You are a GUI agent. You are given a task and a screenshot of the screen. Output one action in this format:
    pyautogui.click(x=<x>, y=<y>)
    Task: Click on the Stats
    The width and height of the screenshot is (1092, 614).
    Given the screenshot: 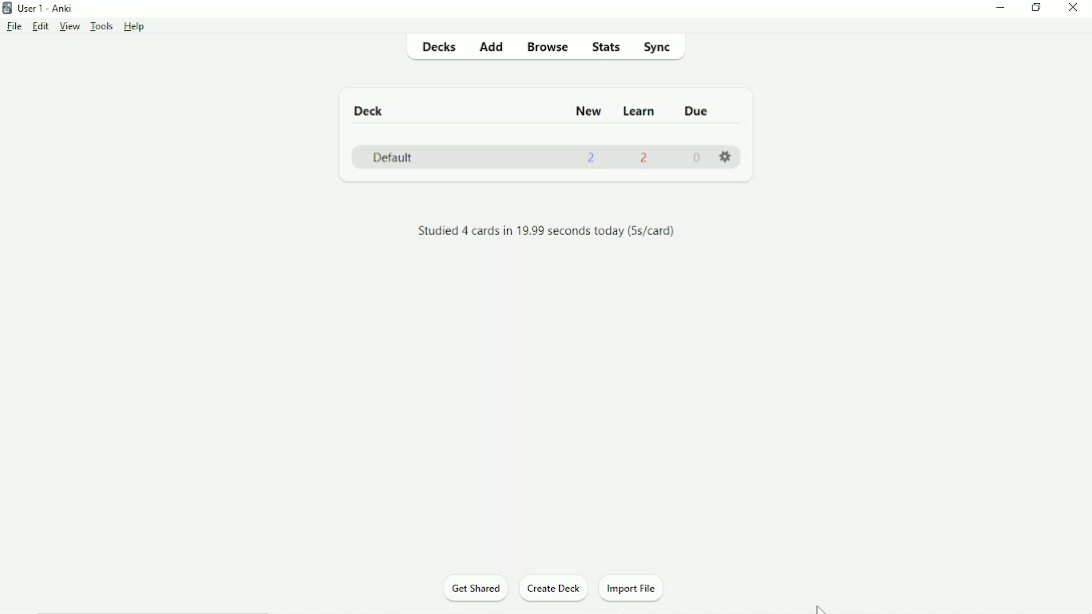 What is the action you would take?
    pyautogui.click(x=608, y=46)
    